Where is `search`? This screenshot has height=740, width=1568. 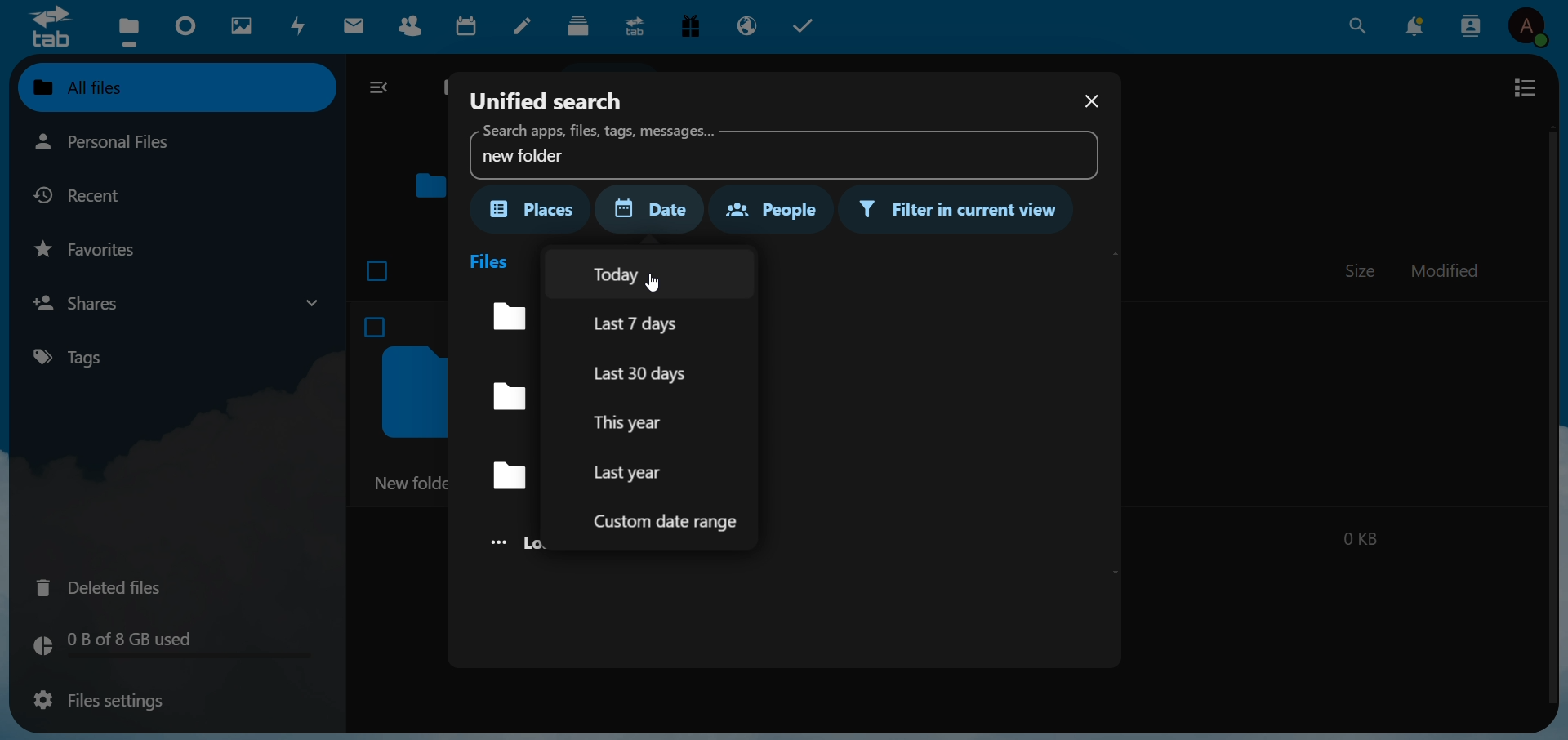
search is located at coordinates (1356, 25).